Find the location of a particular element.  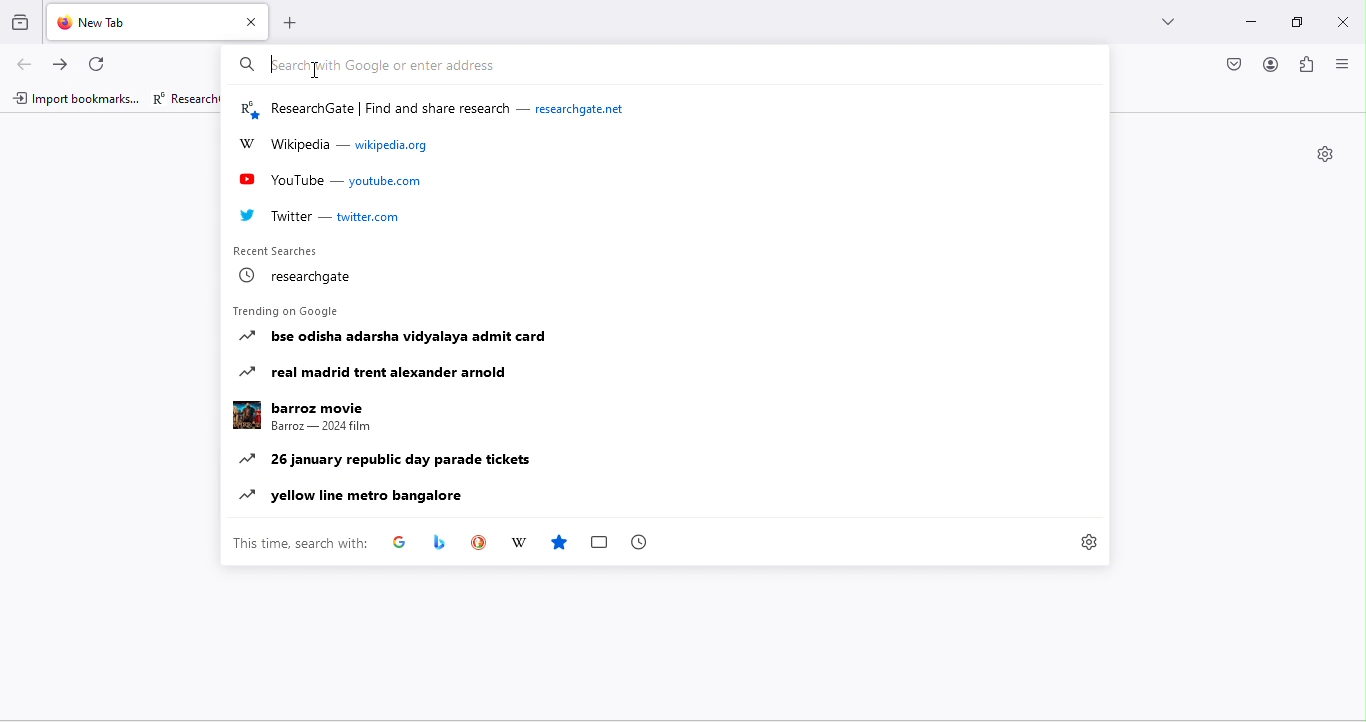

close or open sidebar is located at coordinates (1347, 64).